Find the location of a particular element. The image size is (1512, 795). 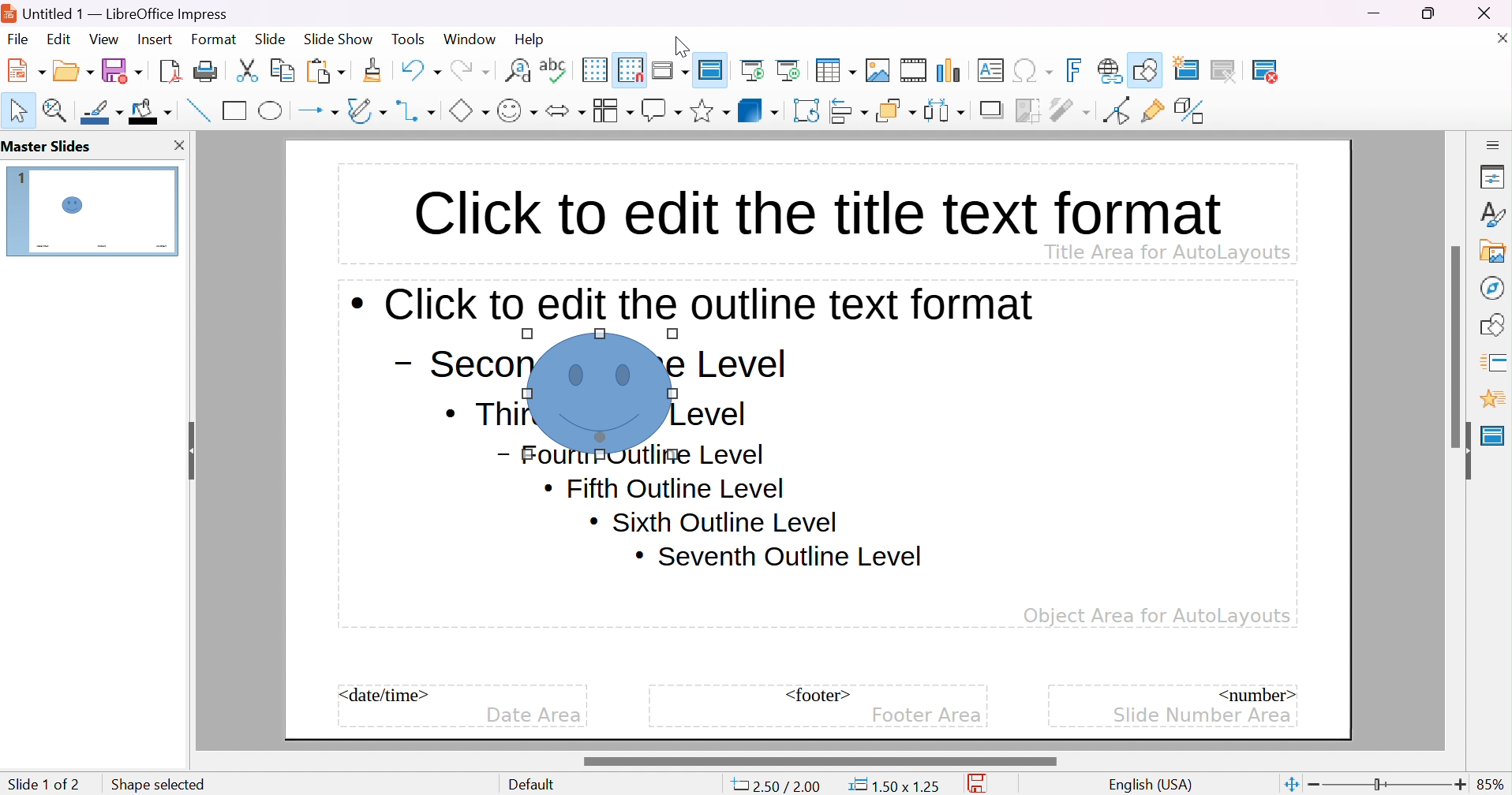

line color is located at coordinates (103, 112).